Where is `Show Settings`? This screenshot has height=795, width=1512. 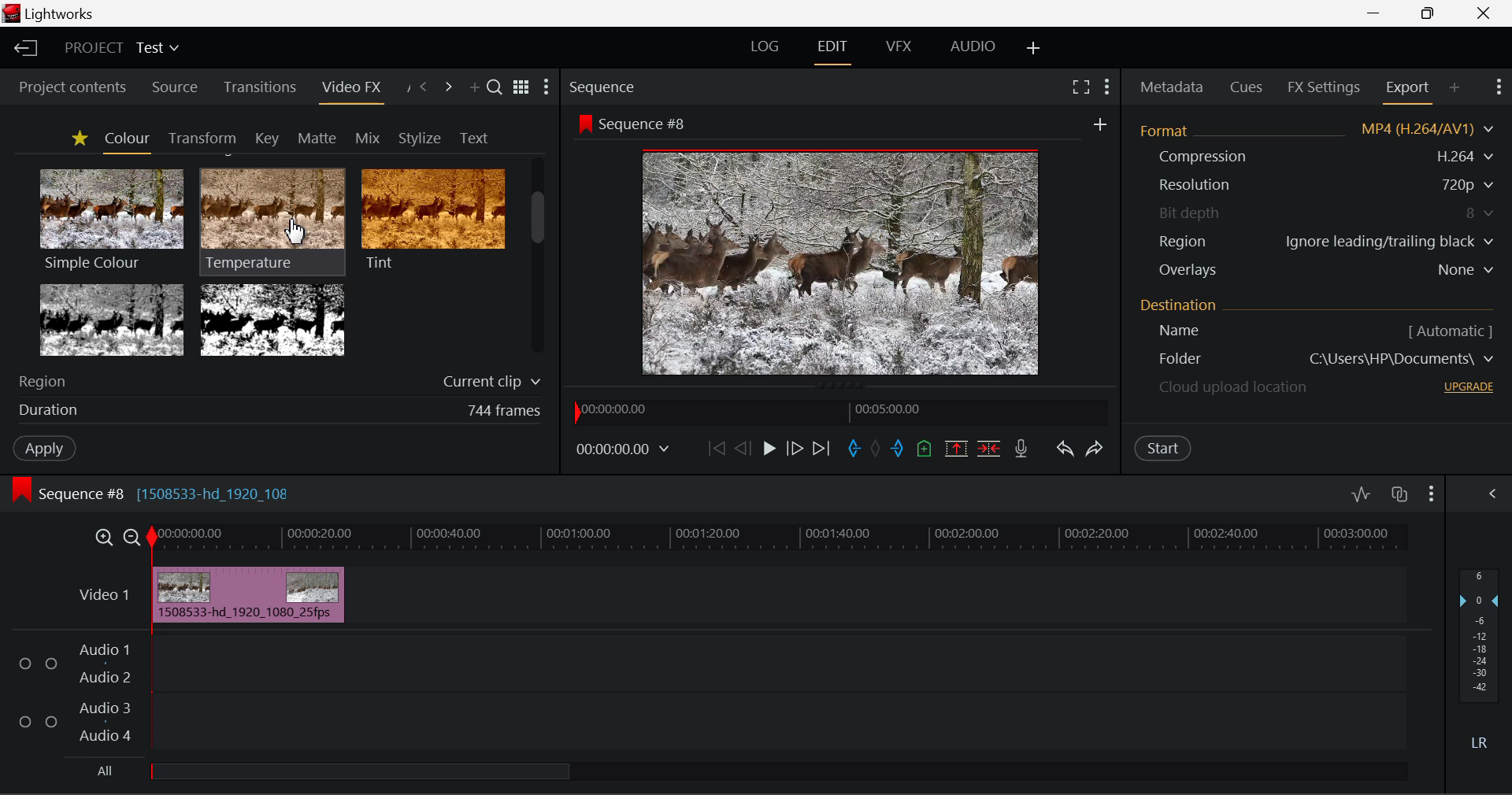 Show Settings is located at coordinates (1106, 88).